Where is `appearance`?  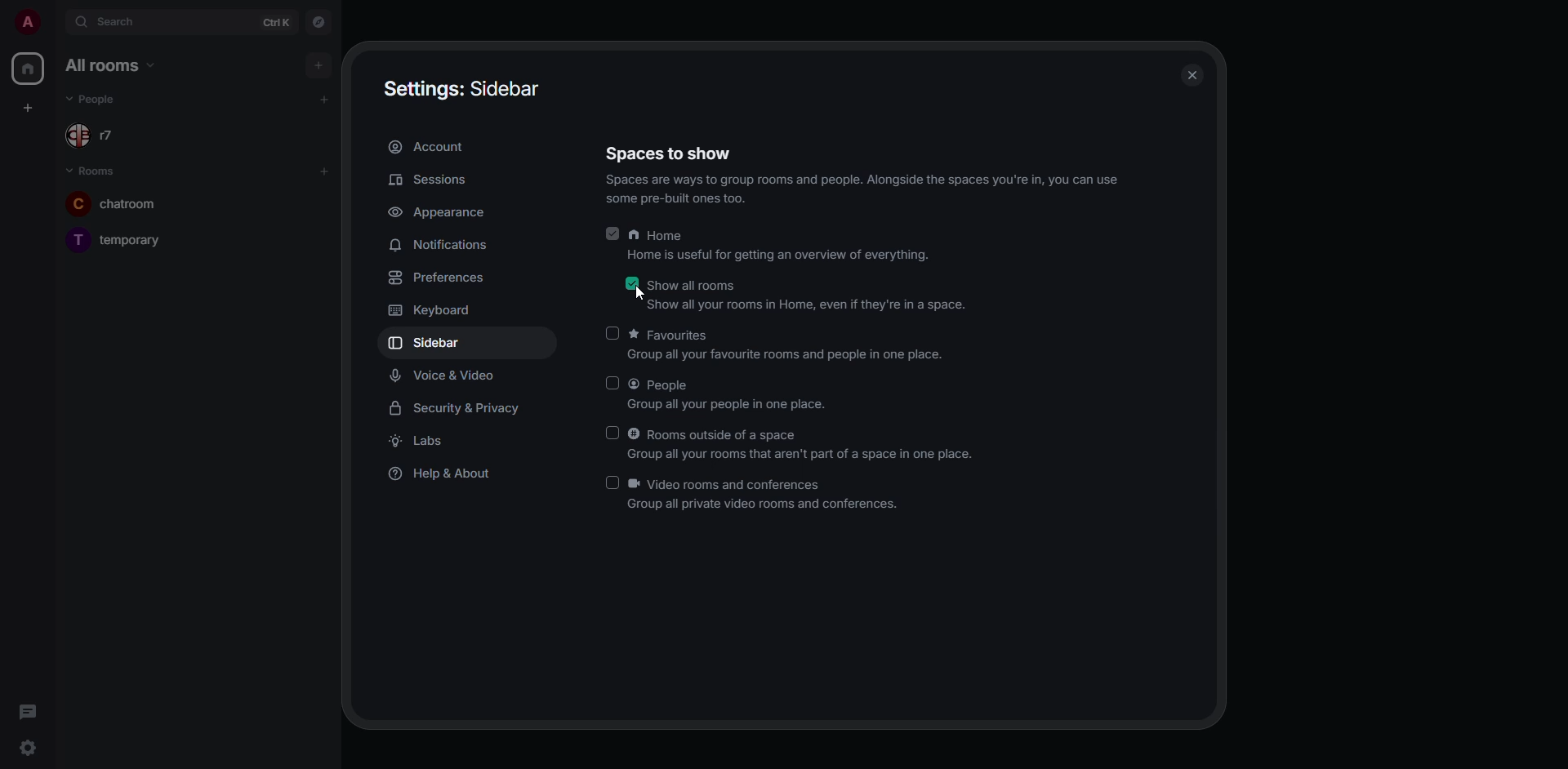 appearance is located at coordinates (441, 214).